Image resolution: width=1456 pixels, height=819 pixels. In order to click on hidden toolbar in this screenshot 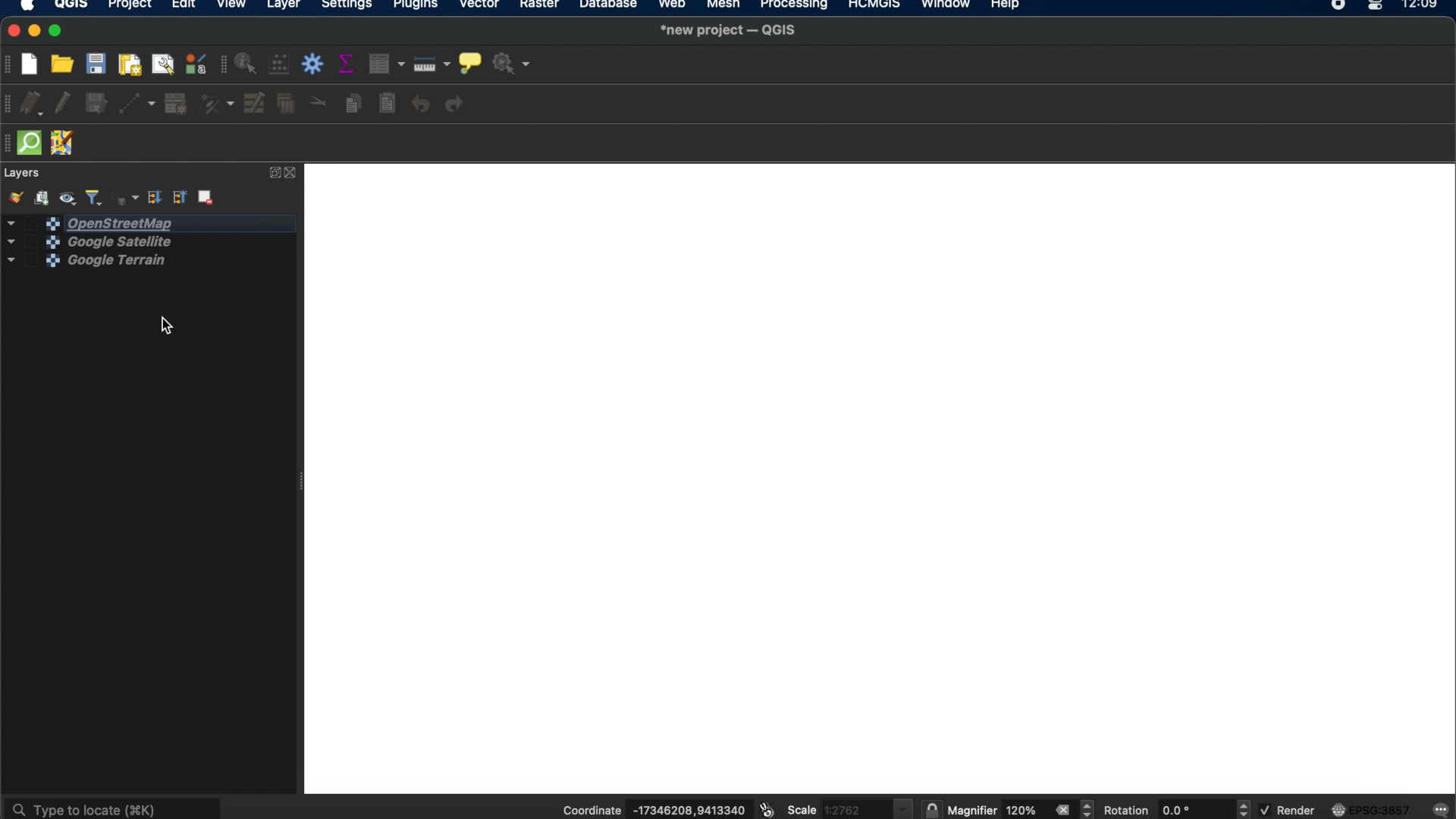, I will do `click(9, 143)`.